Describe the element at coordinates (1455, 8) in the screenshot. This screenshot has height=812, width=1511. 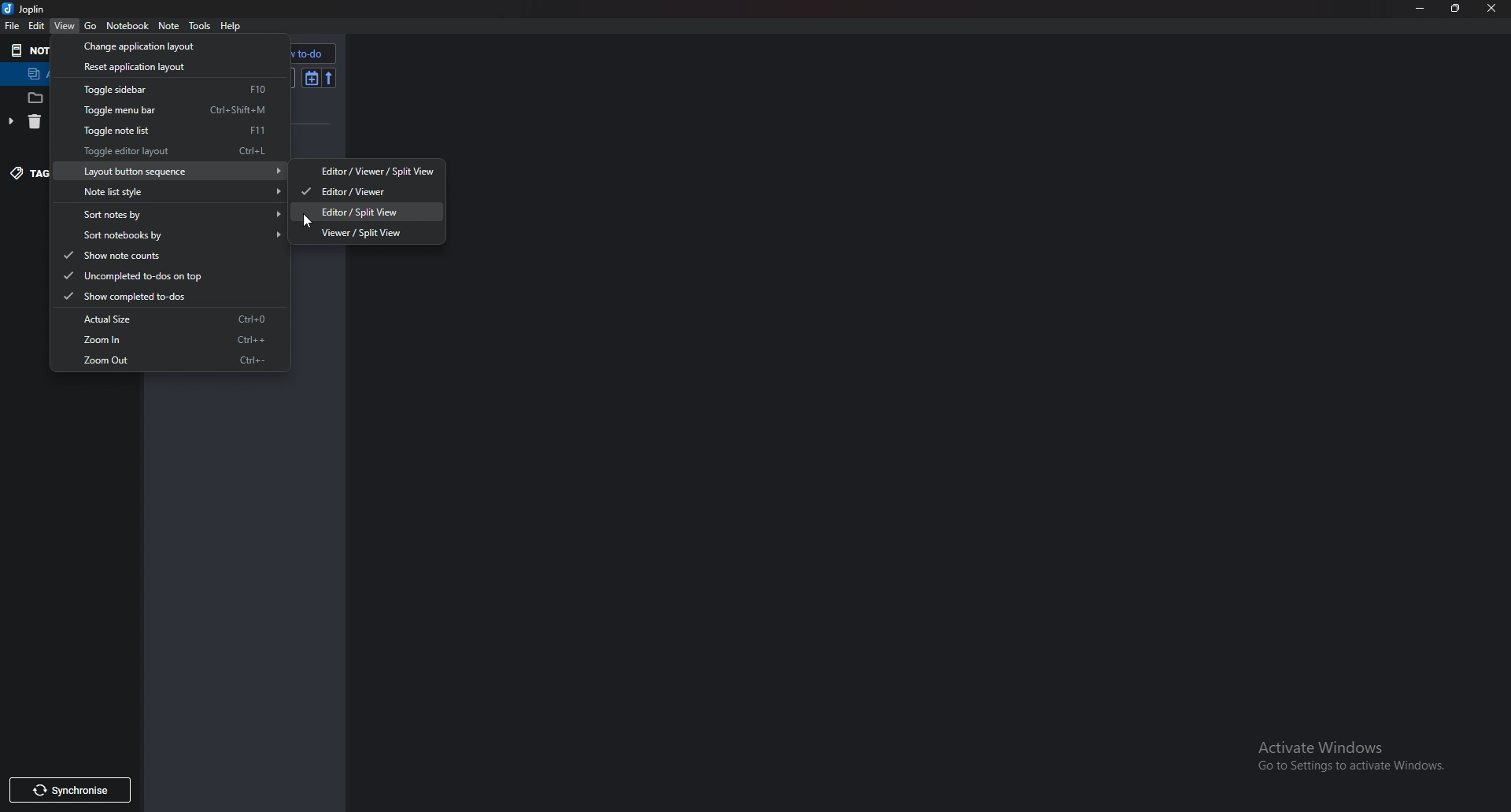
I see `Resize` at that location.